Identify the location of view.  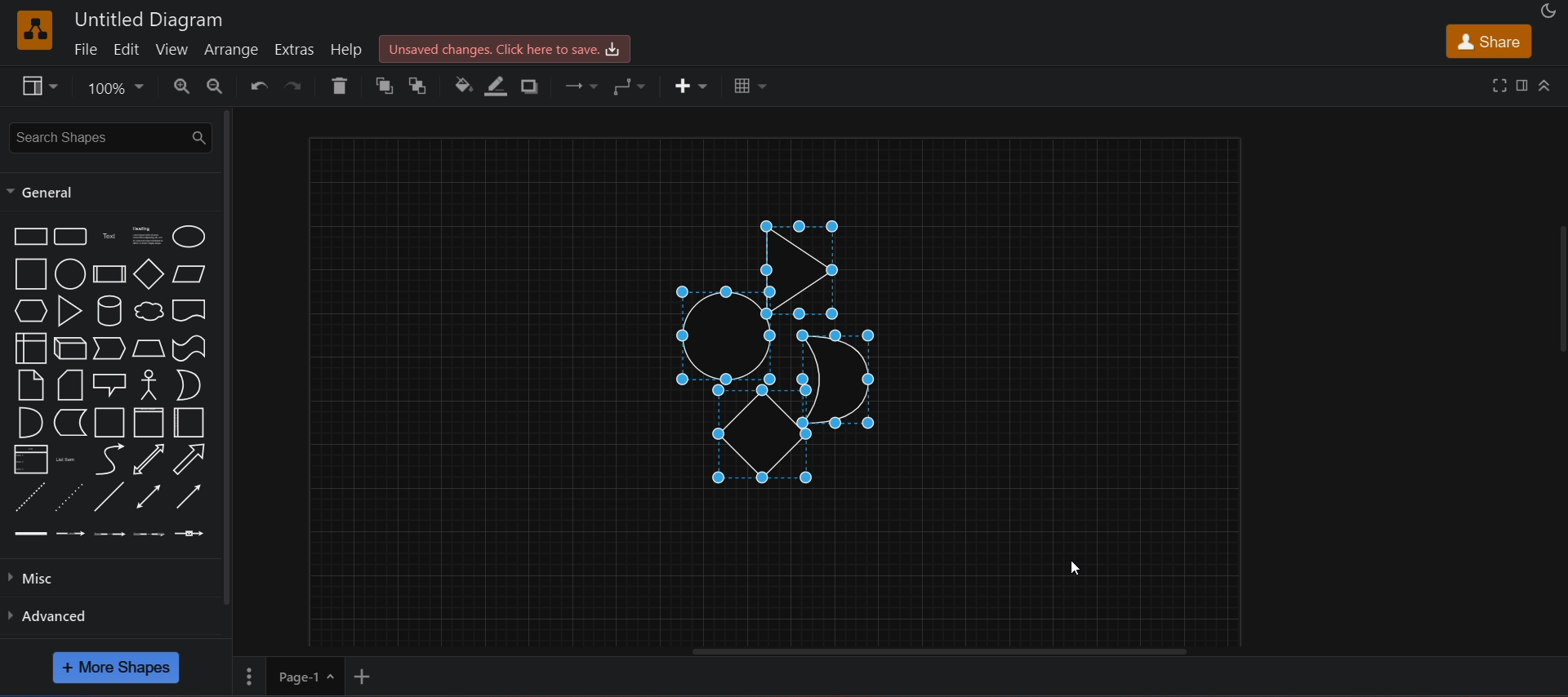
(173, 50).